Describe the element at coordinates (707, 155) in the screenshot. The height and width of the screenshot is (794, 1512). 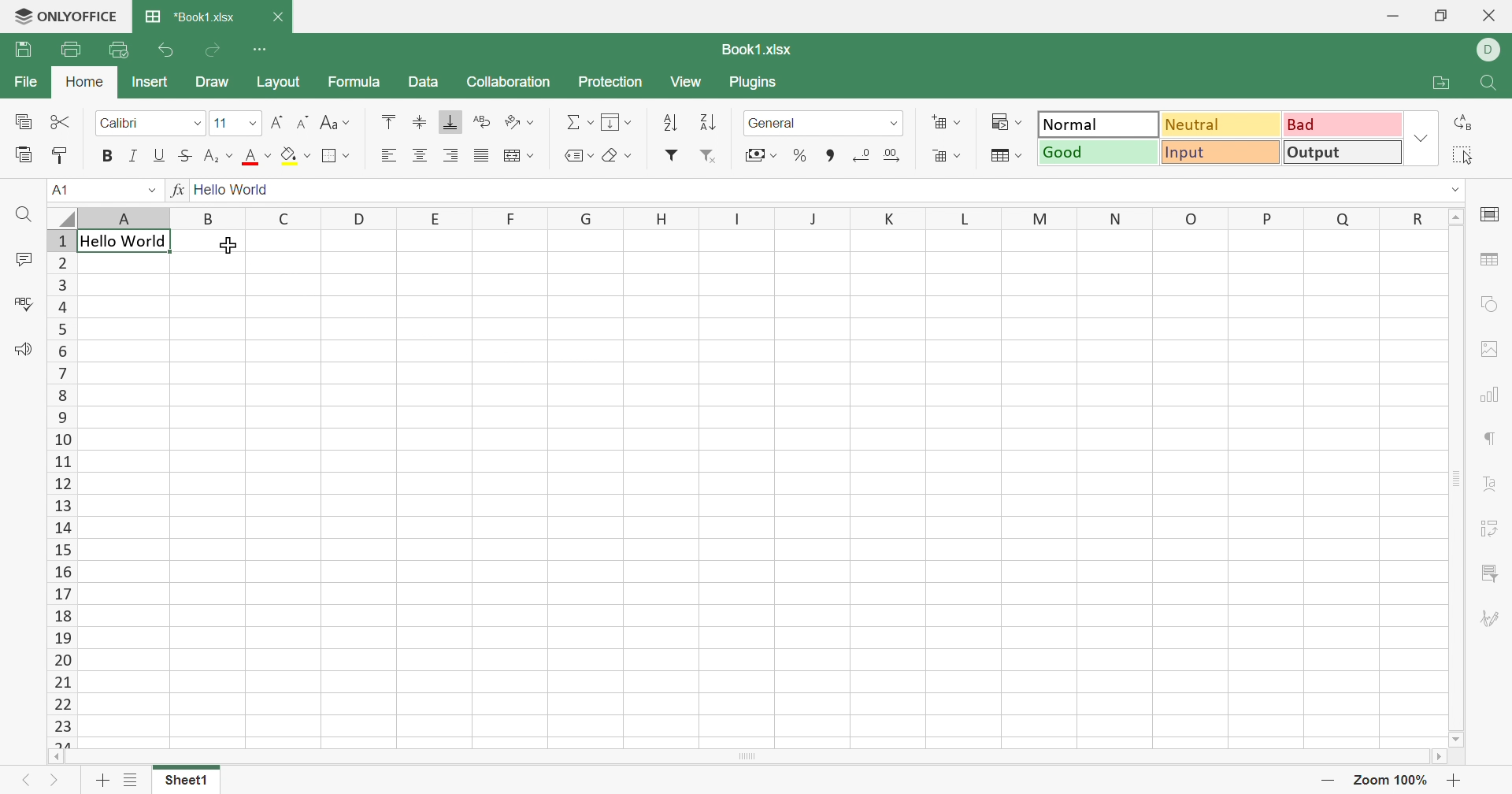
I see `Remove filter` at that location.